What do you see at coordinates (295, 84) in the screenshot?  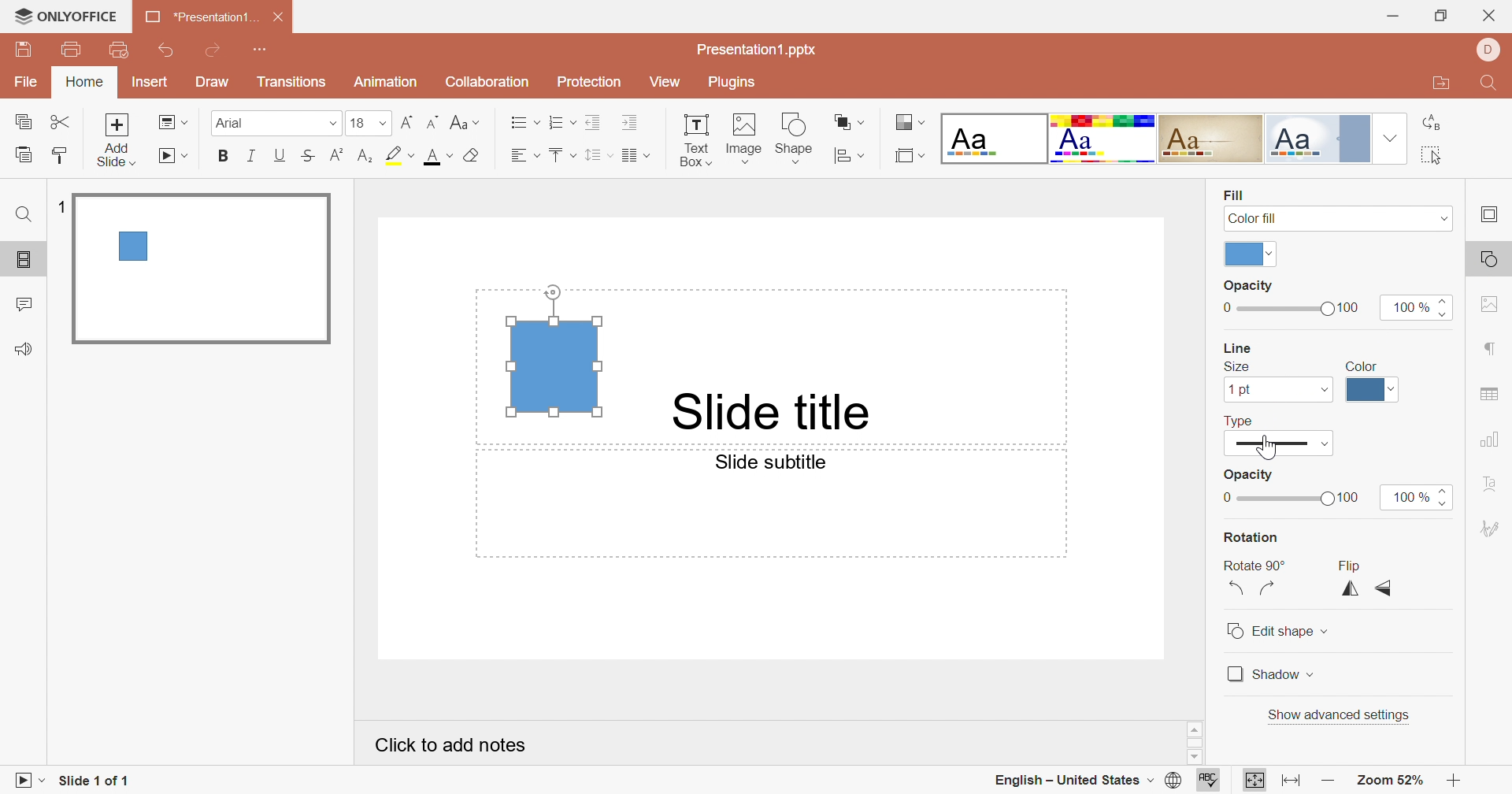 I see `Transitions` at bounding box center [295, 84].